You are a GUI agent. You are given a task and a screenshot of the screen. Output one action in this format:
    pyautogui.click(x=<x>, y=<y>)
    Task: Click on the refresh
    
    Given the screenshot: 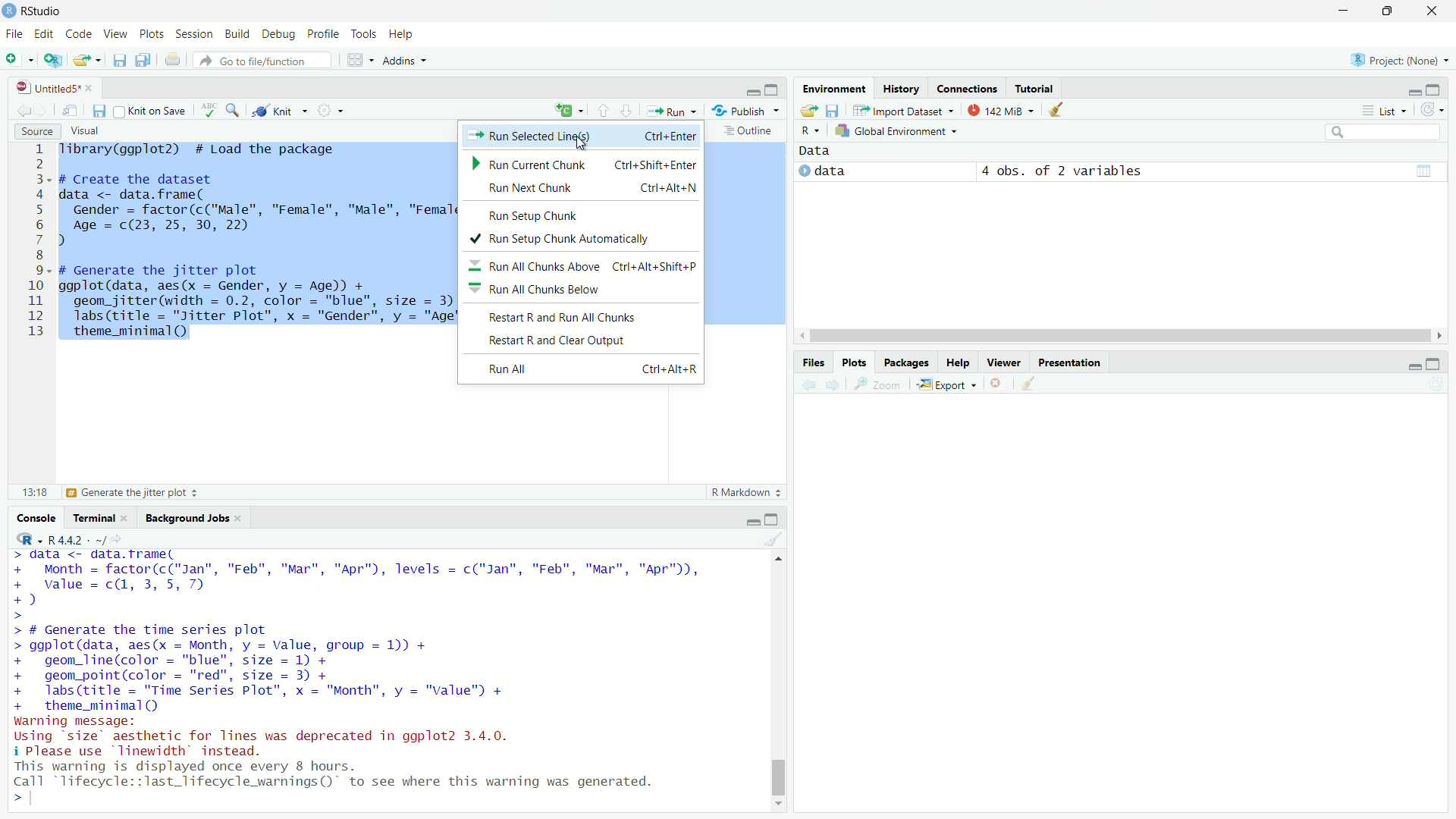 What is the action you would take?
    pyautogui.click(x=1437, y=110)
    